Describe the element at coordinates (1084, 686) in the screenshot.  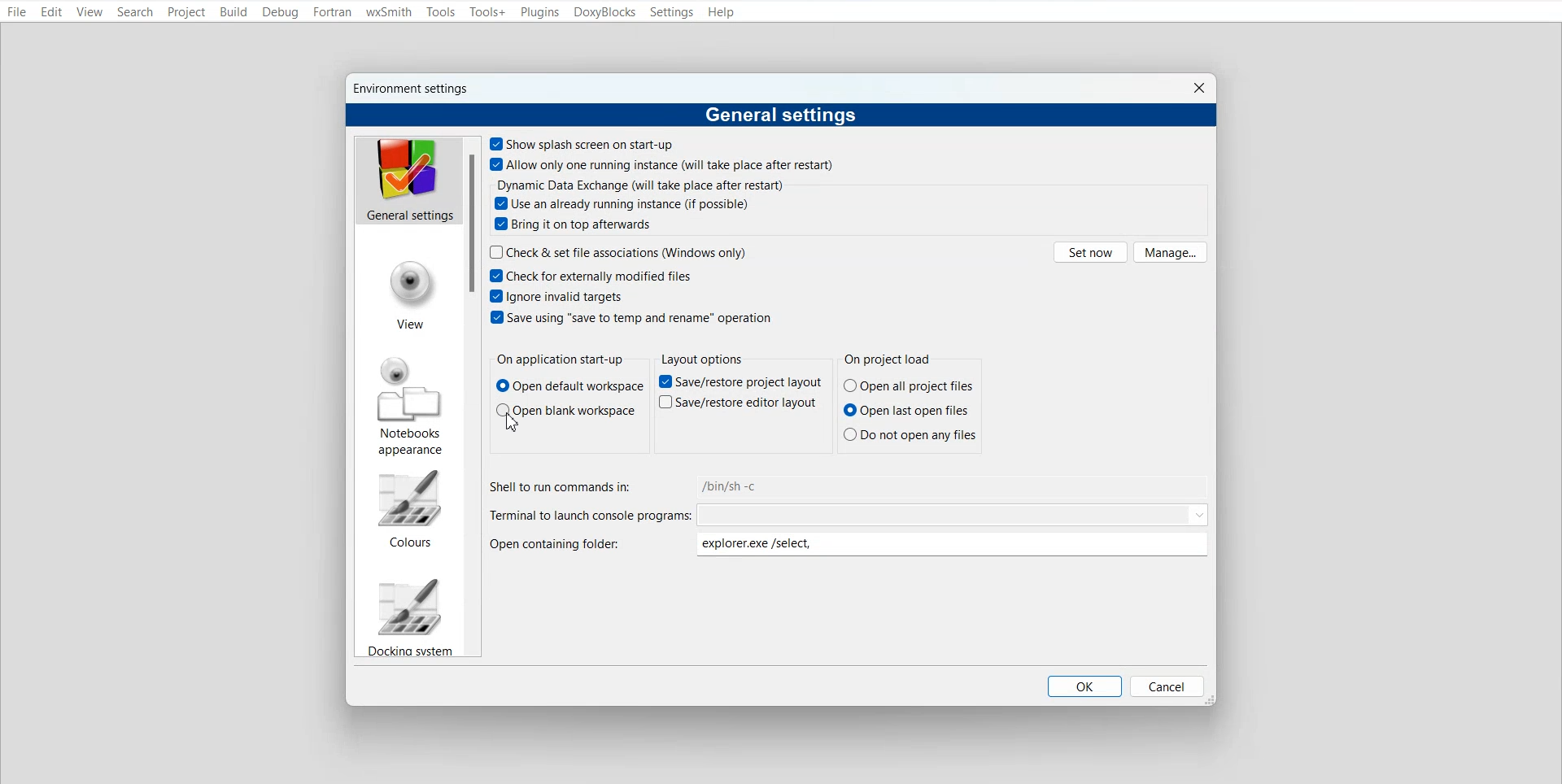
I see `OK` at that location.